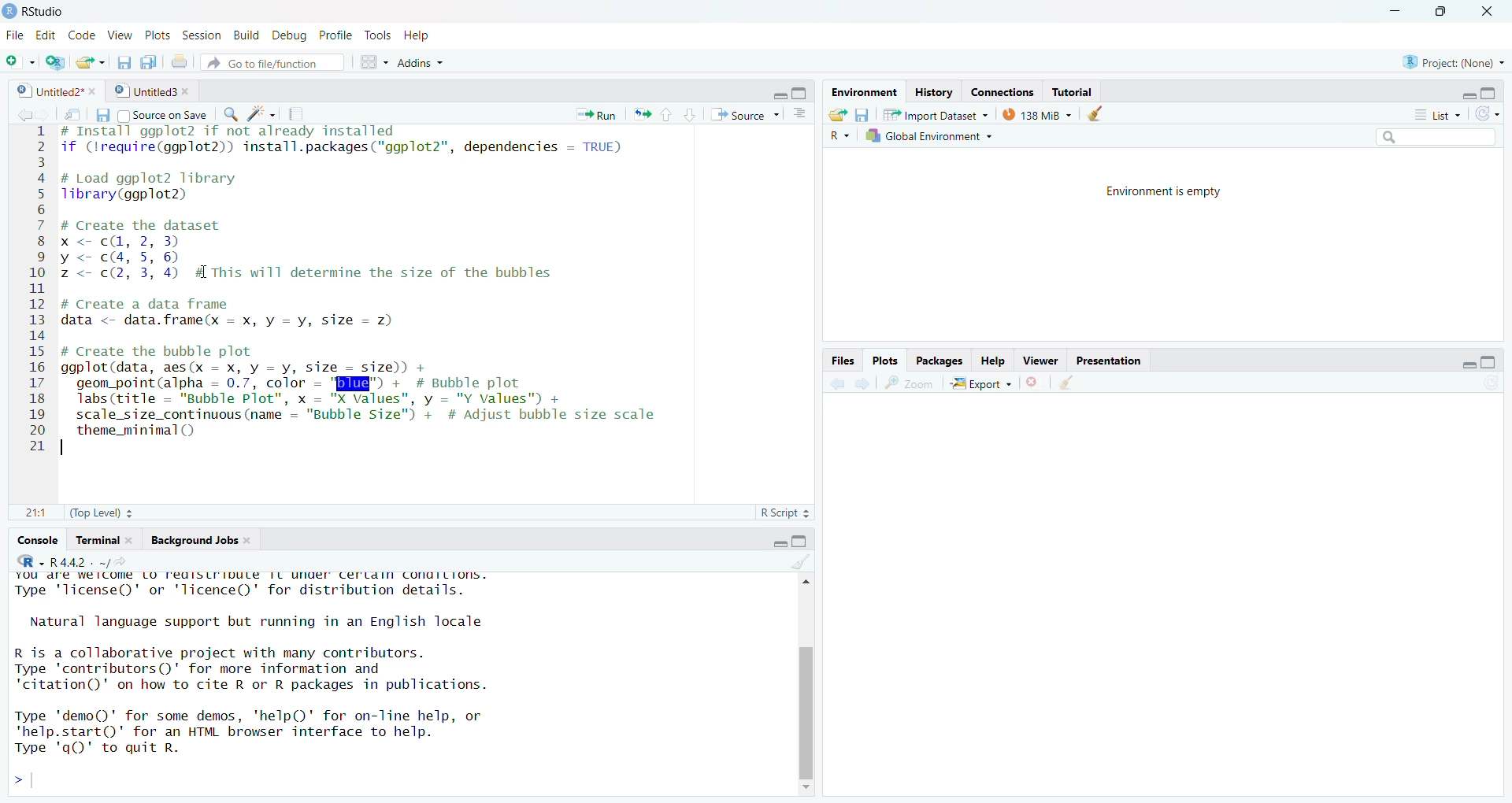 This screenshot has width=1512, height=803. I want to click on clear viewer, so click(1066, 382).